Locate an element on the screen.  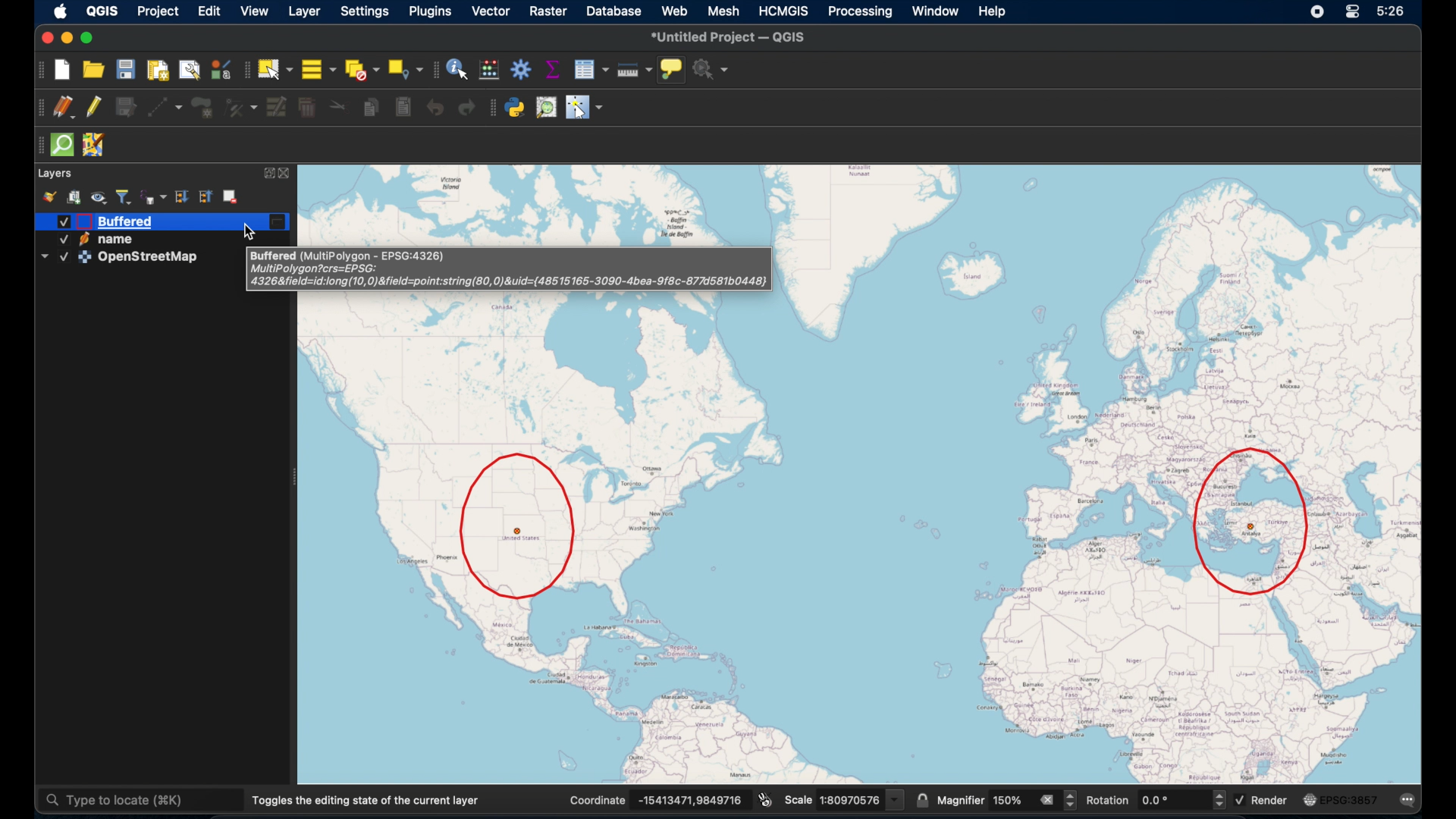
magnifier value is located at coordinates (1006, 800).